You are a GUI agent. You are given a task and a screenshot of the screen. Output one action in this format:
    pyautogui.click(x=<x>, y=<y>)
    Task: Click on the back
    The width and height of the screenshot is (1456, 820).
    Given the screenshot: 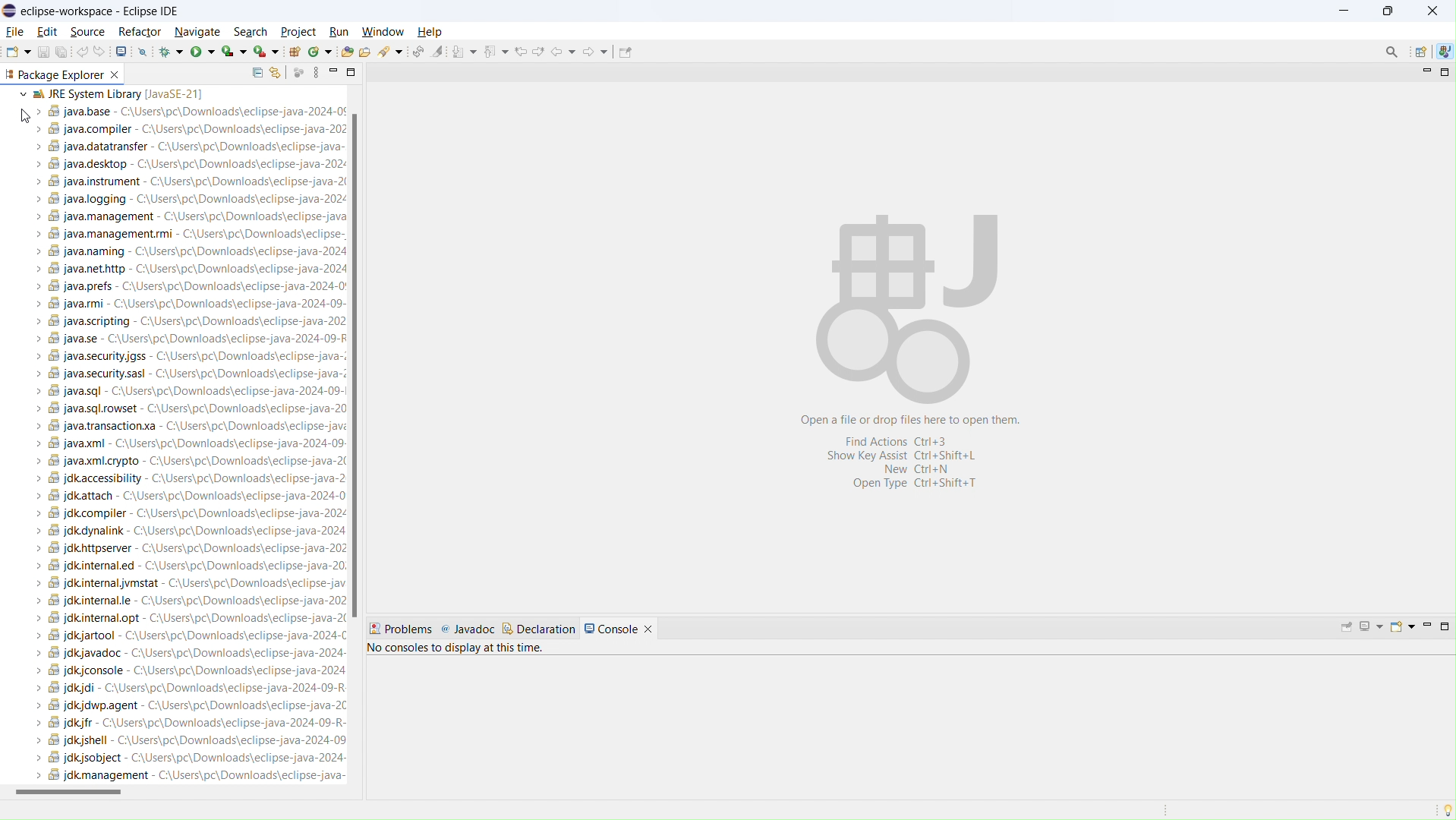 What is the action you would take?
    pyautogui.click(x=563, y=50)
    